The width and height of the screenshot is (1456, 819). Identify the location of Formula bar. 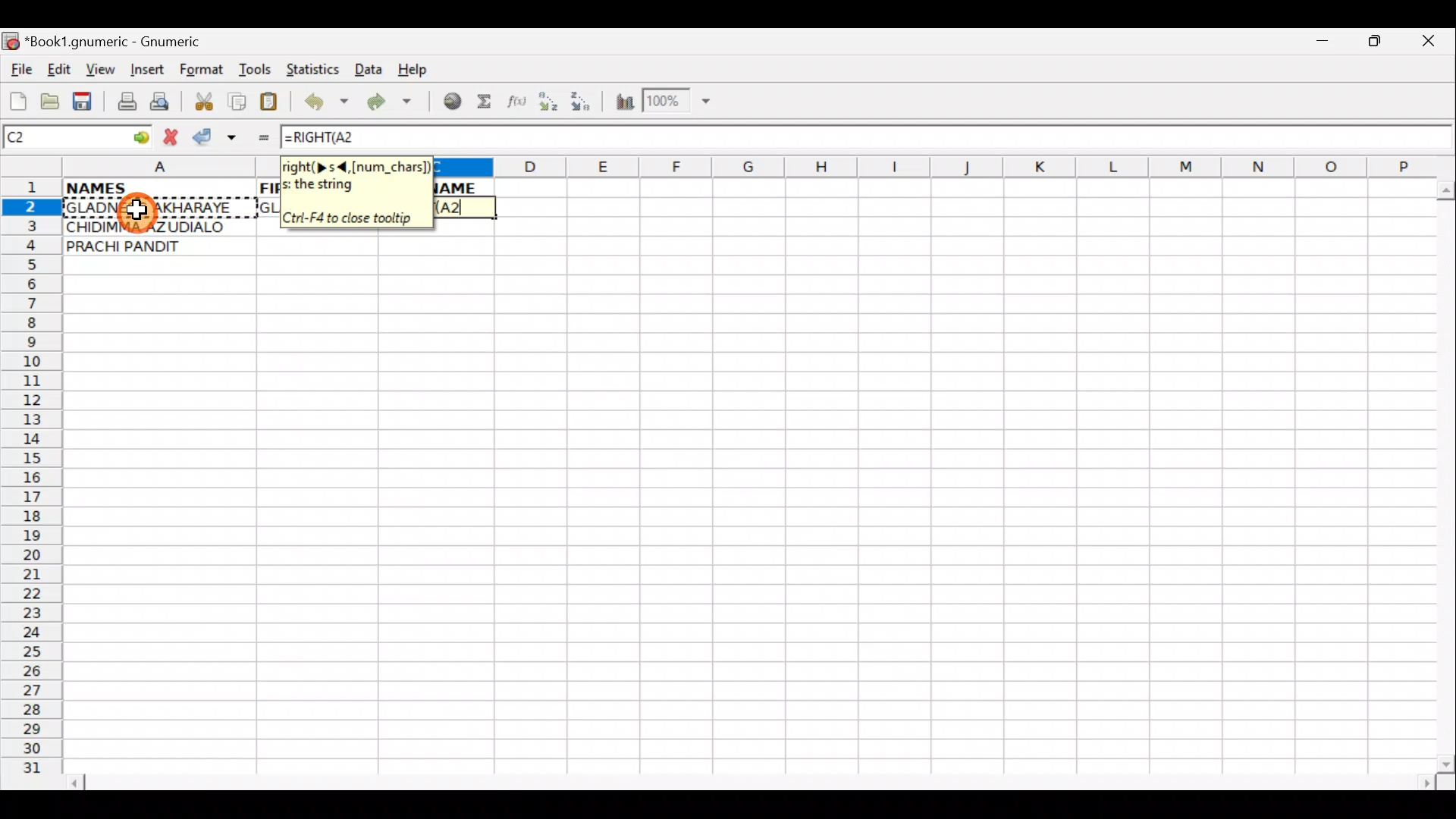
(923, 136).